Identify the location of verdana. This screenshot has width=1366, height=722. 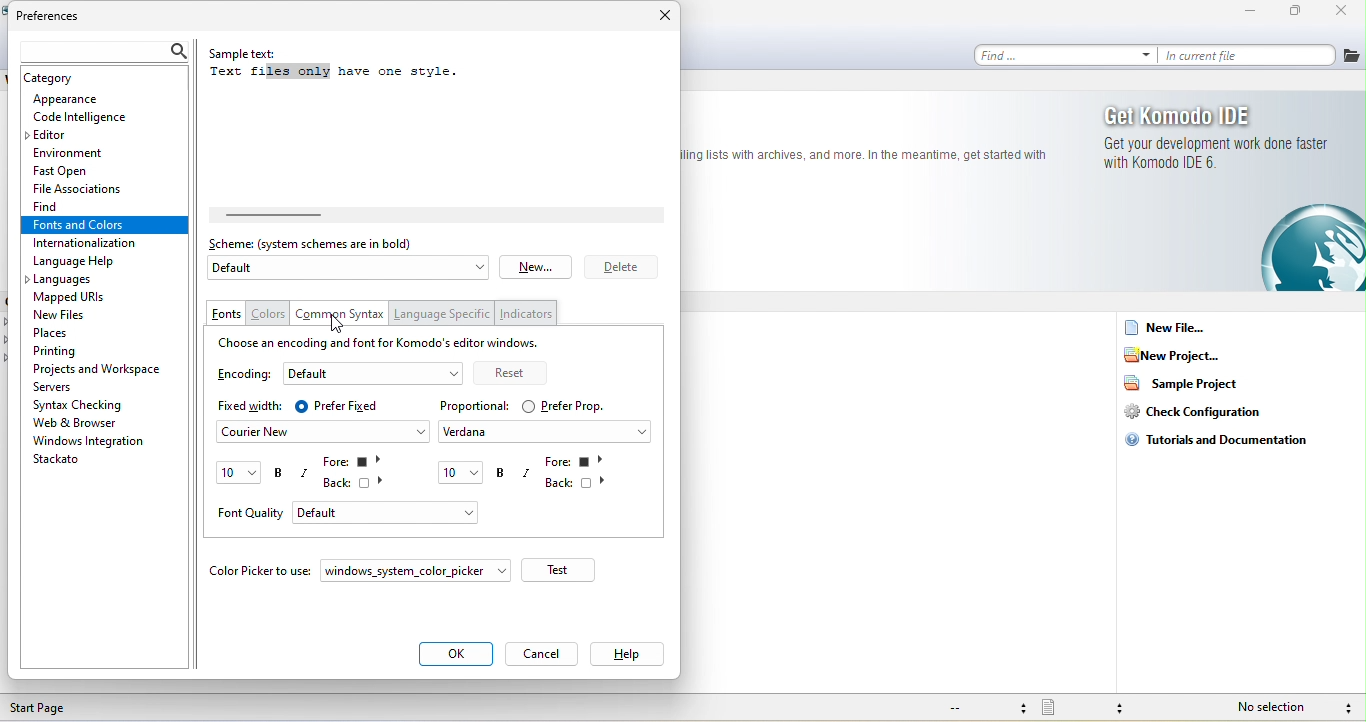
(549, 431).